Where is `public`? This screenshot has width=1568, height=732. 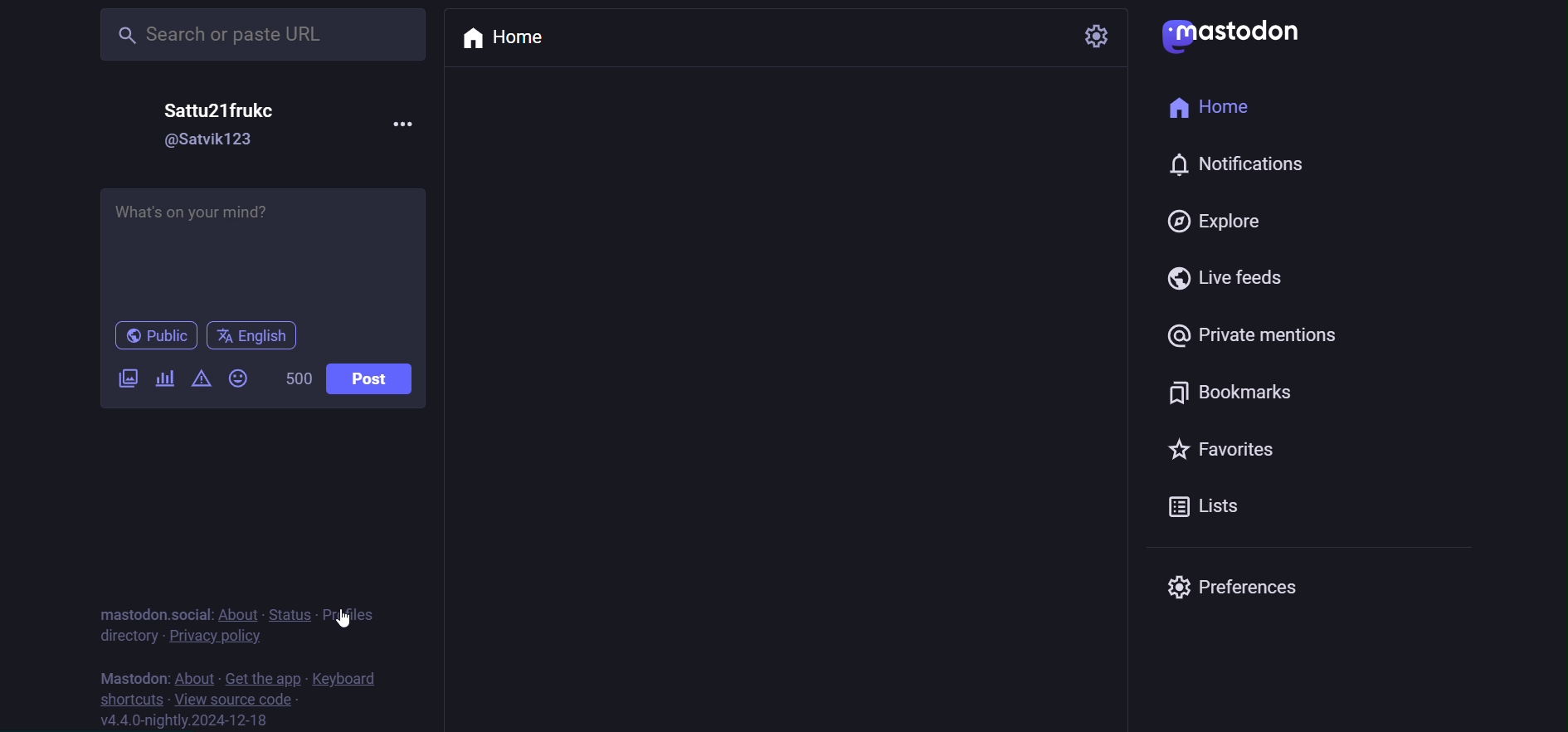 public is located at coordinates (158, 336).